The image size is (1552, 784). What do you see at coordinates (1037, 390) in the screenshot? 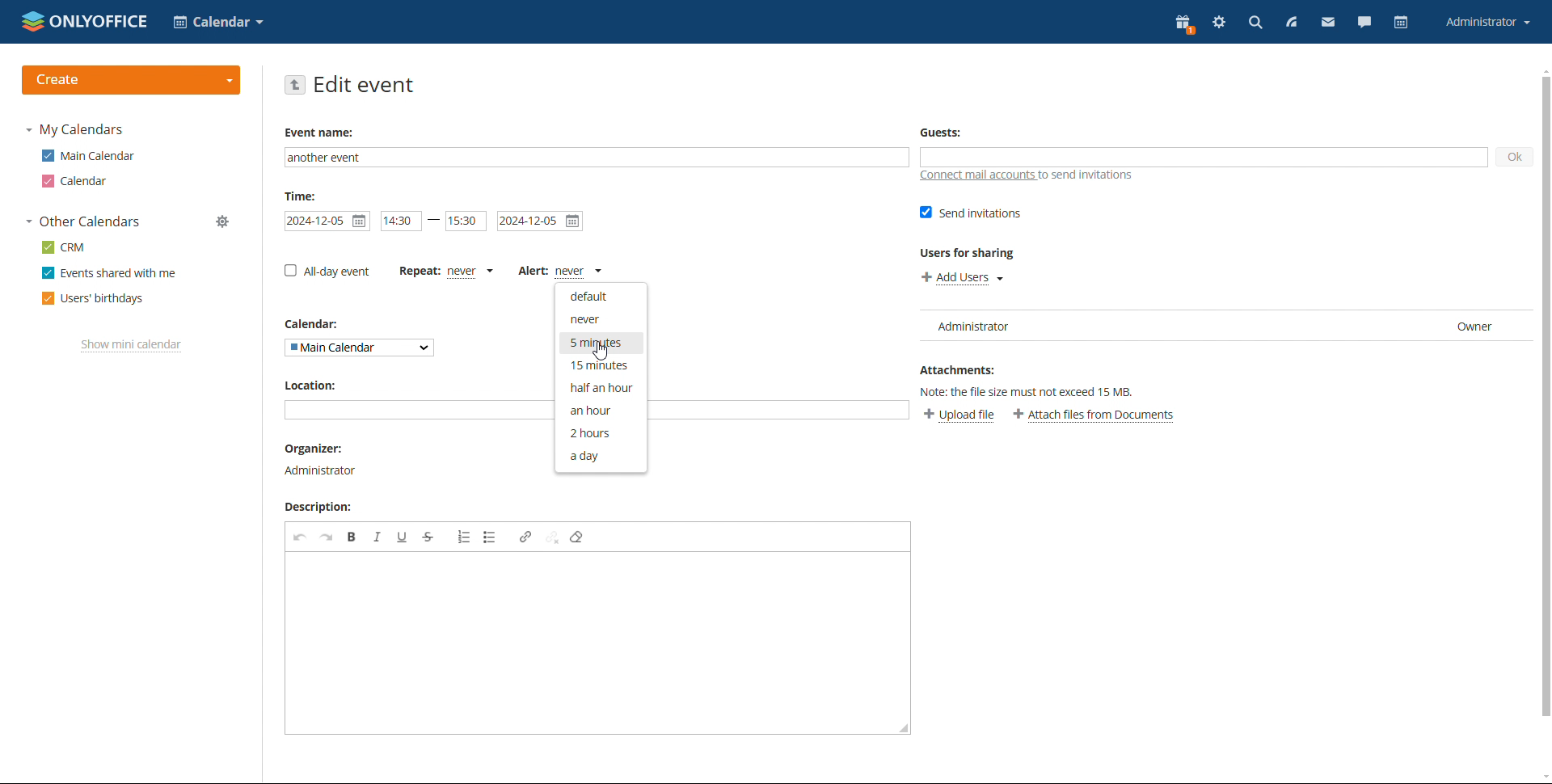
I see `Note: the file size must not exceed 15 MB.` at bounding box center [1037, 390].